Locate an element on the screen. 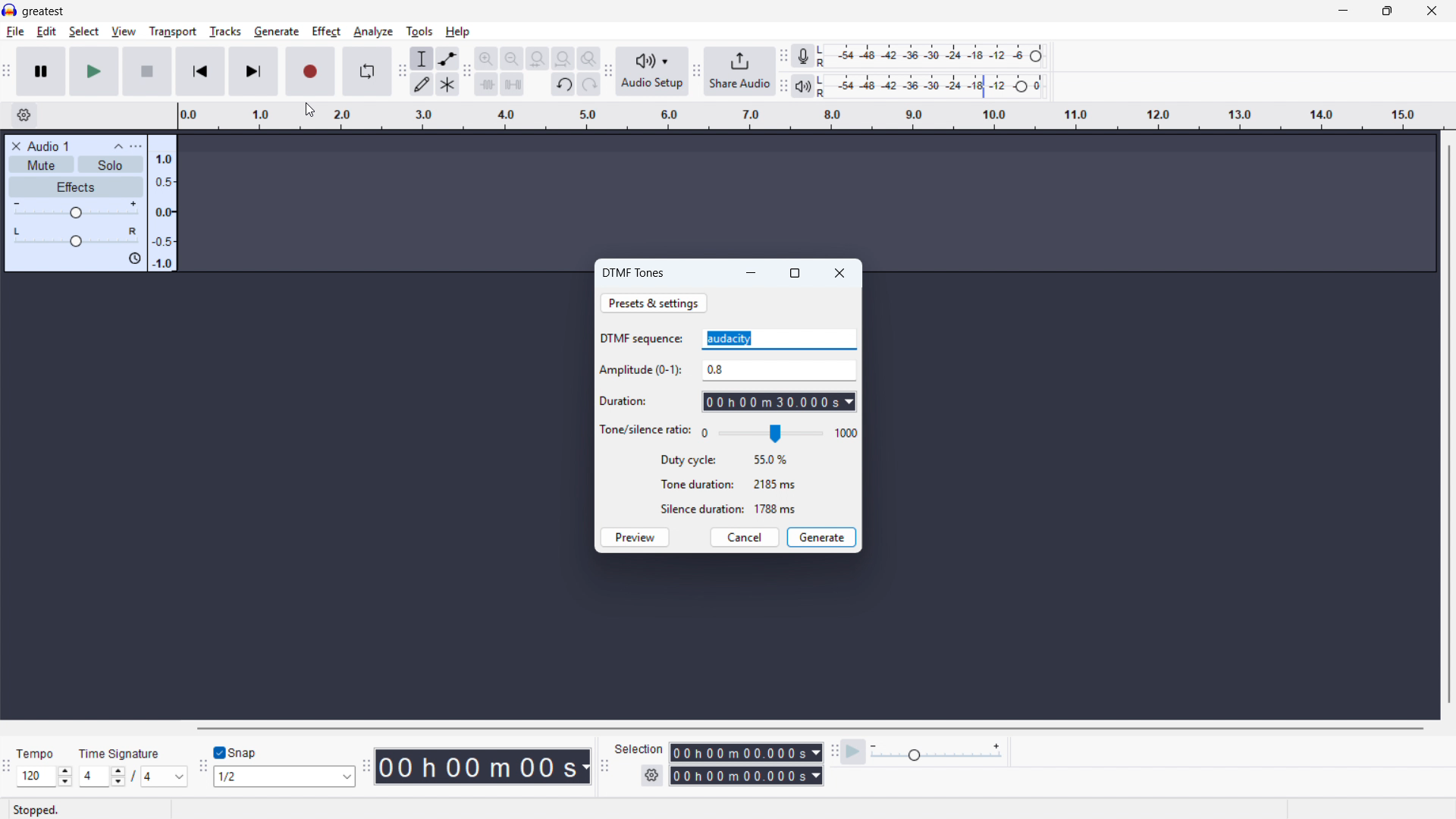 This screenshot has width=1456, height=819. skip to start is located at coordinates (201, 71).